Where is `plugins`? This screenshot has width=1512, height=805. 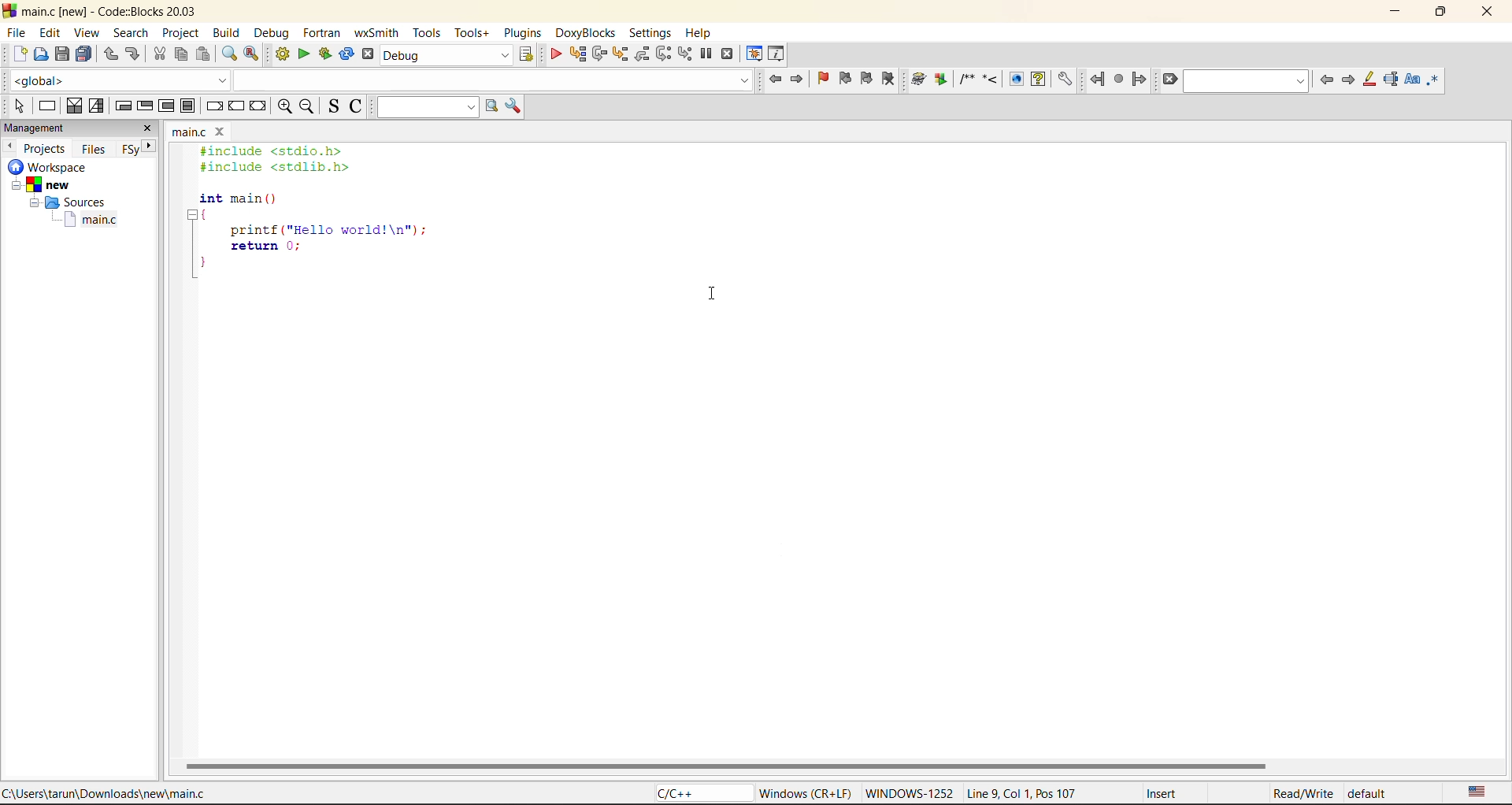 plugins is located at coordinates (522, 35).